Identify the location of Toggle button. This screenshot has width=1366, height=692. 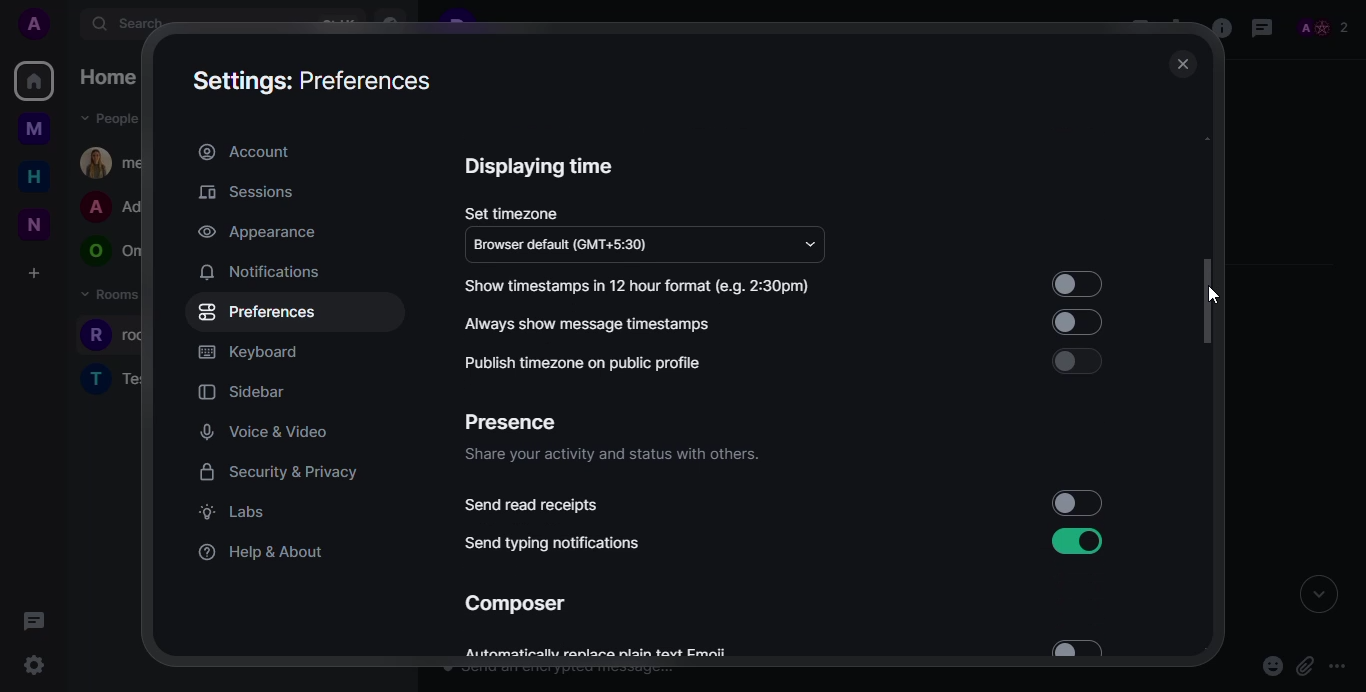
(1080, 646).